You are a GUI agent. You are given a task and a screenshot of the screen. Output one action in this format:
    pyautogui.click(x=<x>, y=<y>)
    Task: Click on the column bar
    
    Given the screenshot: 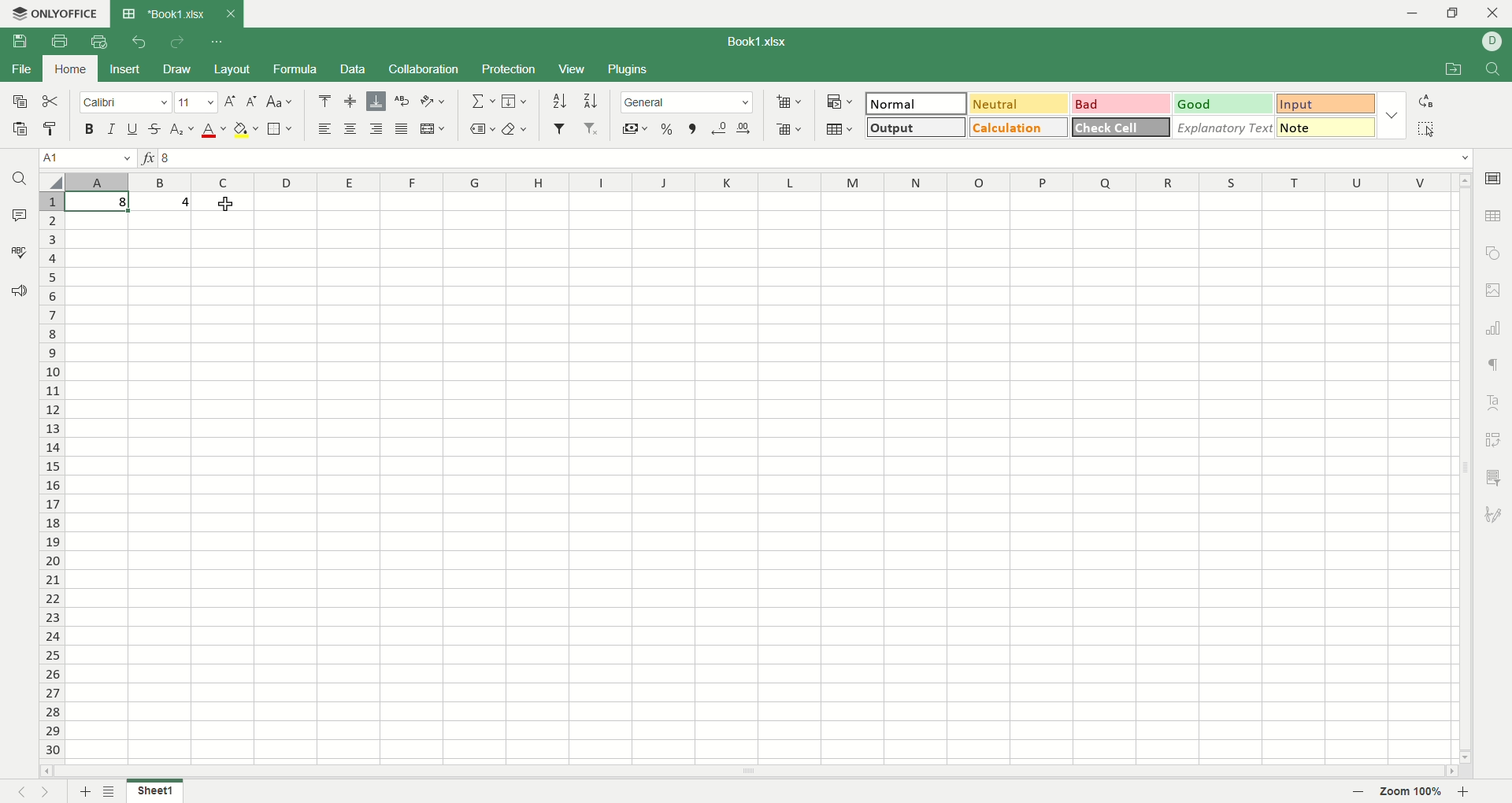 What is the action you would take?
    pyautogui.click(x=762, y=185)
    